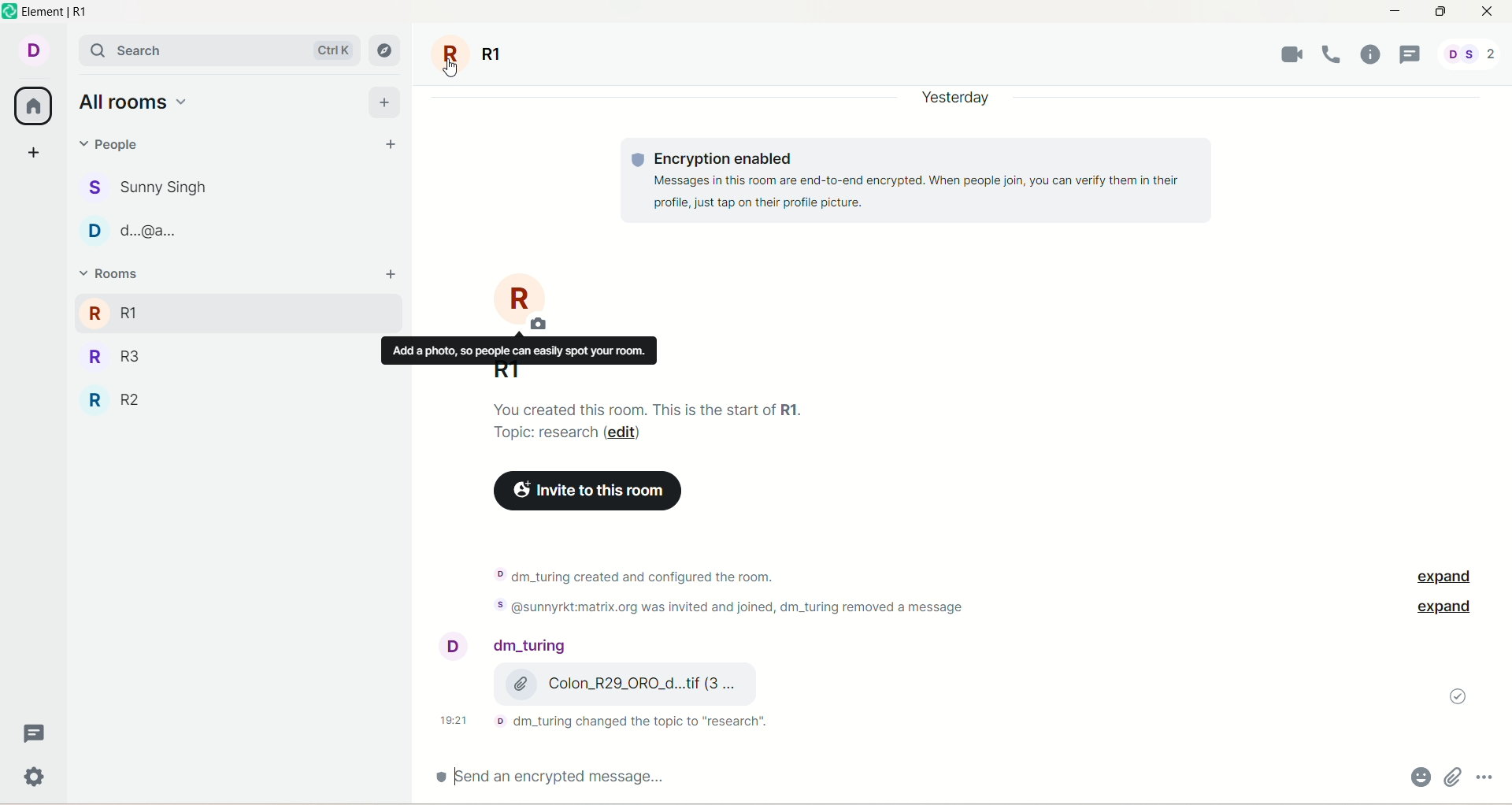 The width and height of the screenshot is (1512, 805). Describe the element at coordinates (113, 147) in the screenshot. I see `people` at that location.